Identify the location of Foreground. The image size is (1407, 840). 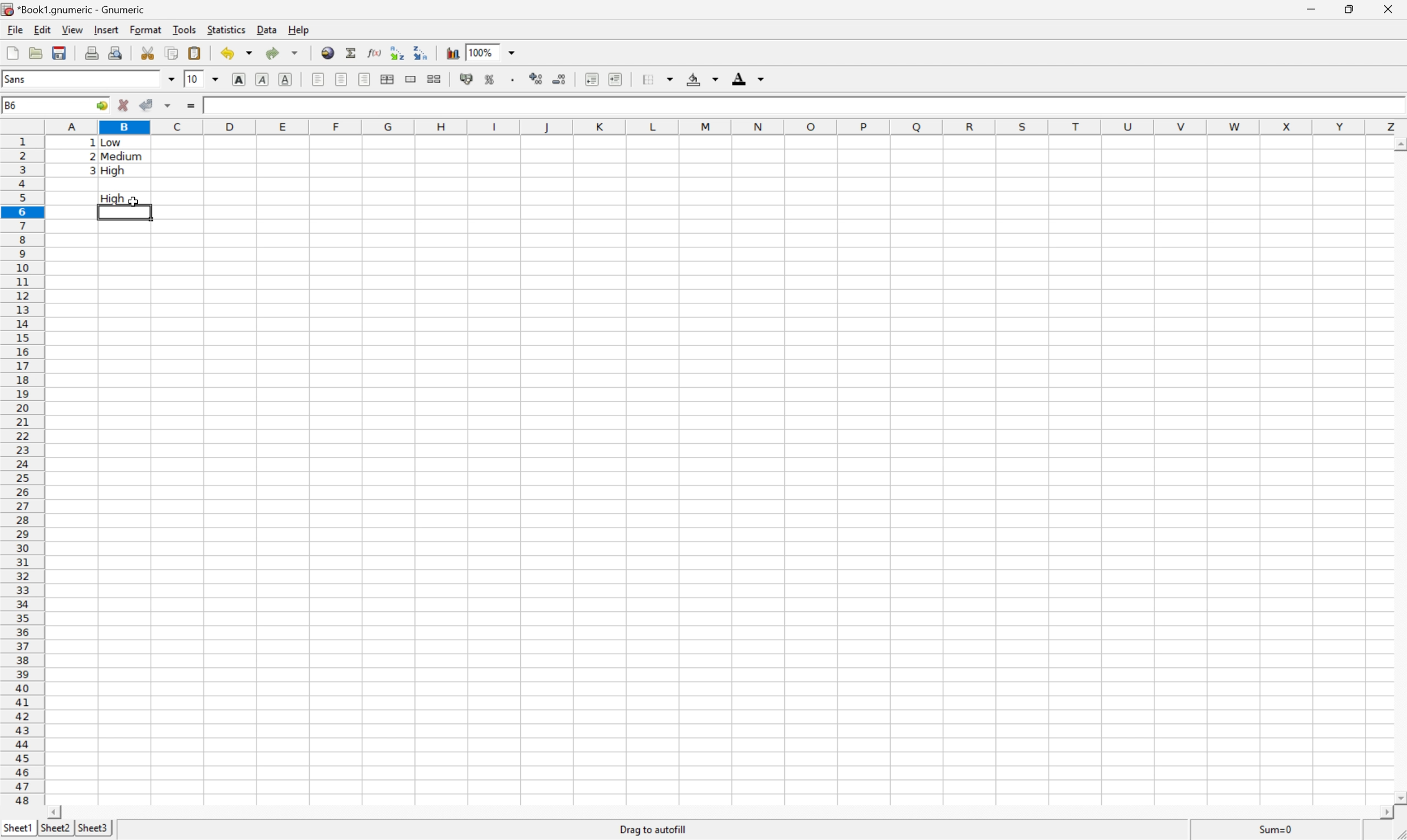
(746, 78).